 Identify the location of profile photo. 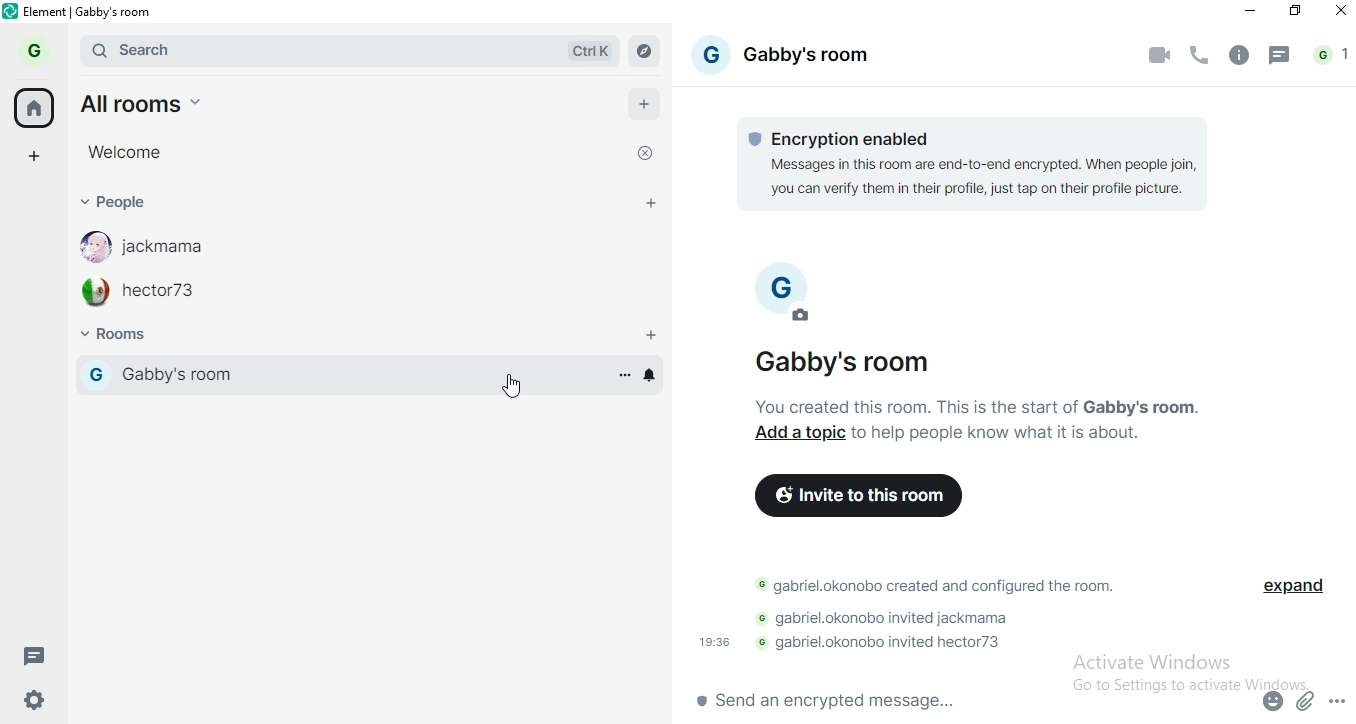
(792, 299).